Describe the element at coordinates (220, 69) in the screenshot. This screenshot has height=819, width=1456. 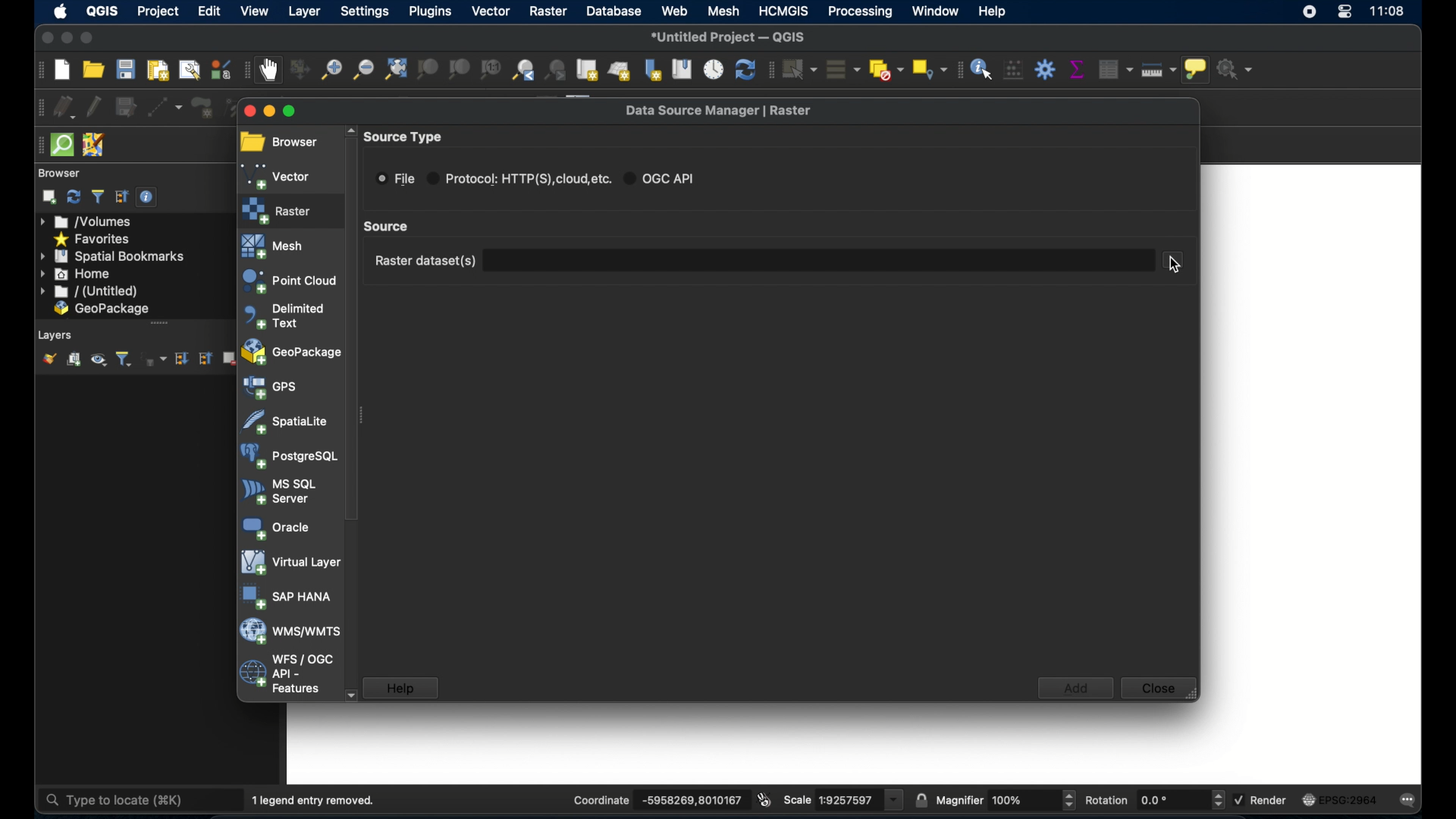
I see `style manager` at that location.